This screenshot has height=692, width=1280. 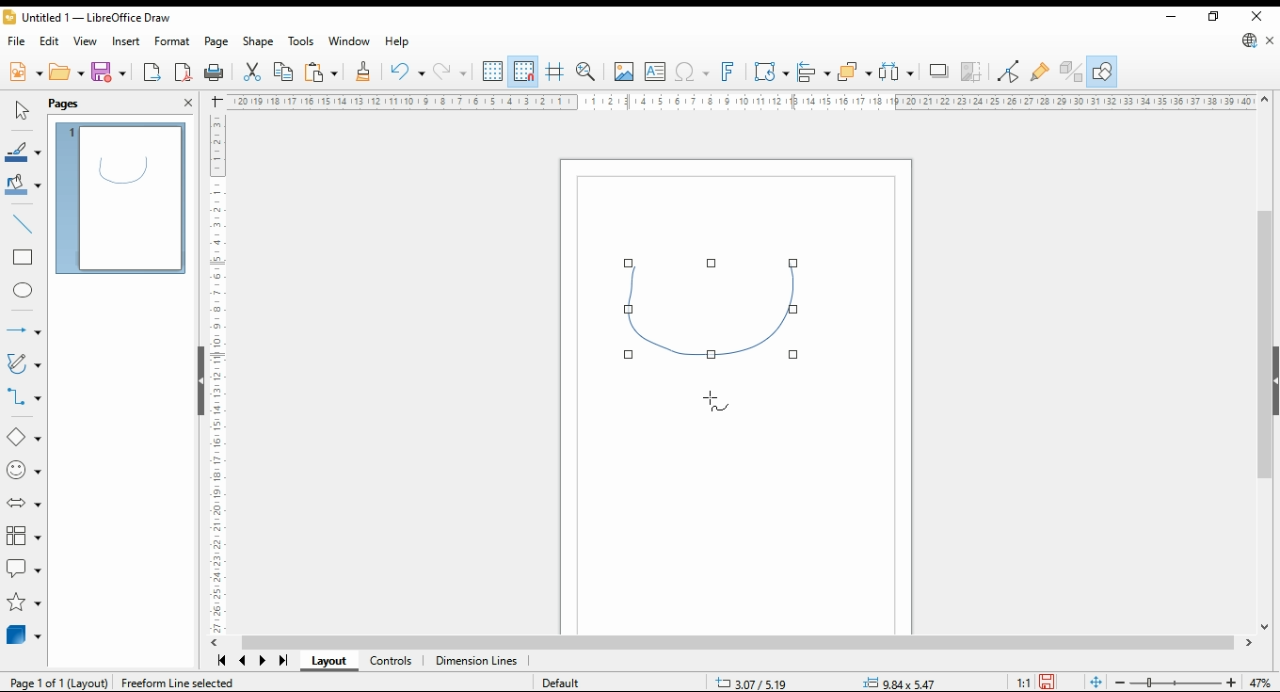 I want to click on open, so click(x=66, y=71).